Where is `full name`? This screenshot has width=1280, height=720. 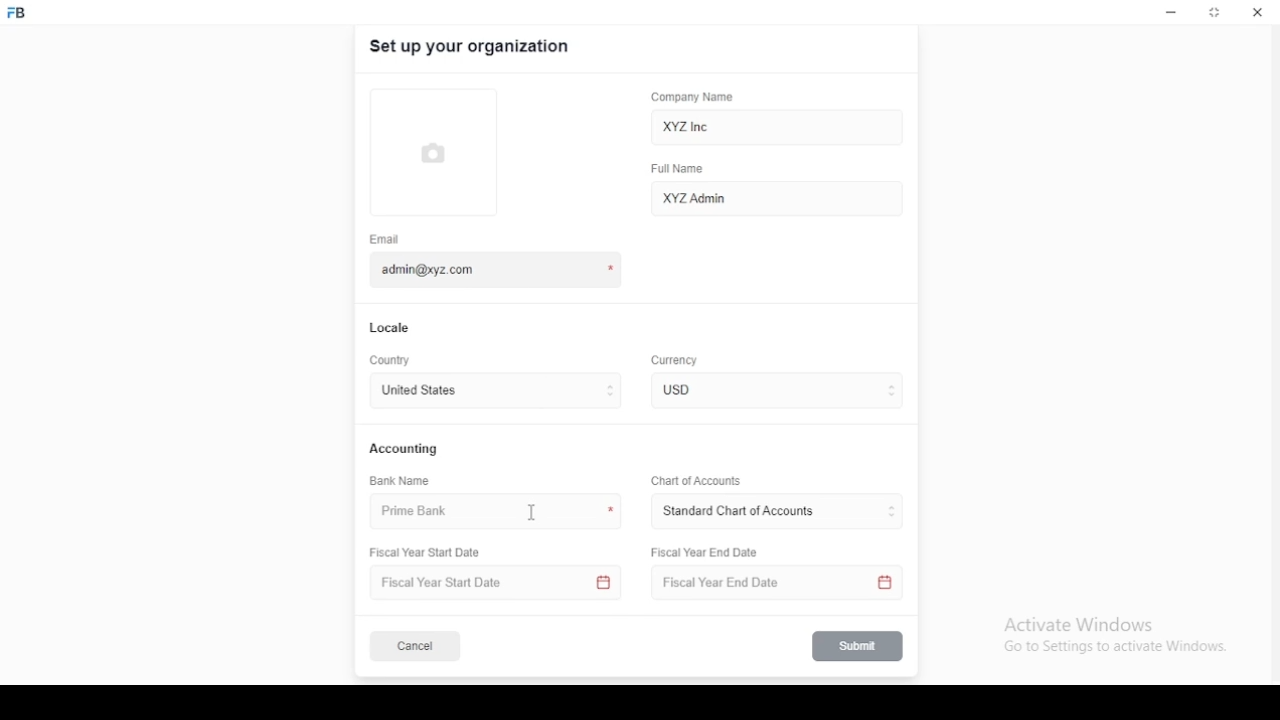
full name is located at coordinates (683, 169).